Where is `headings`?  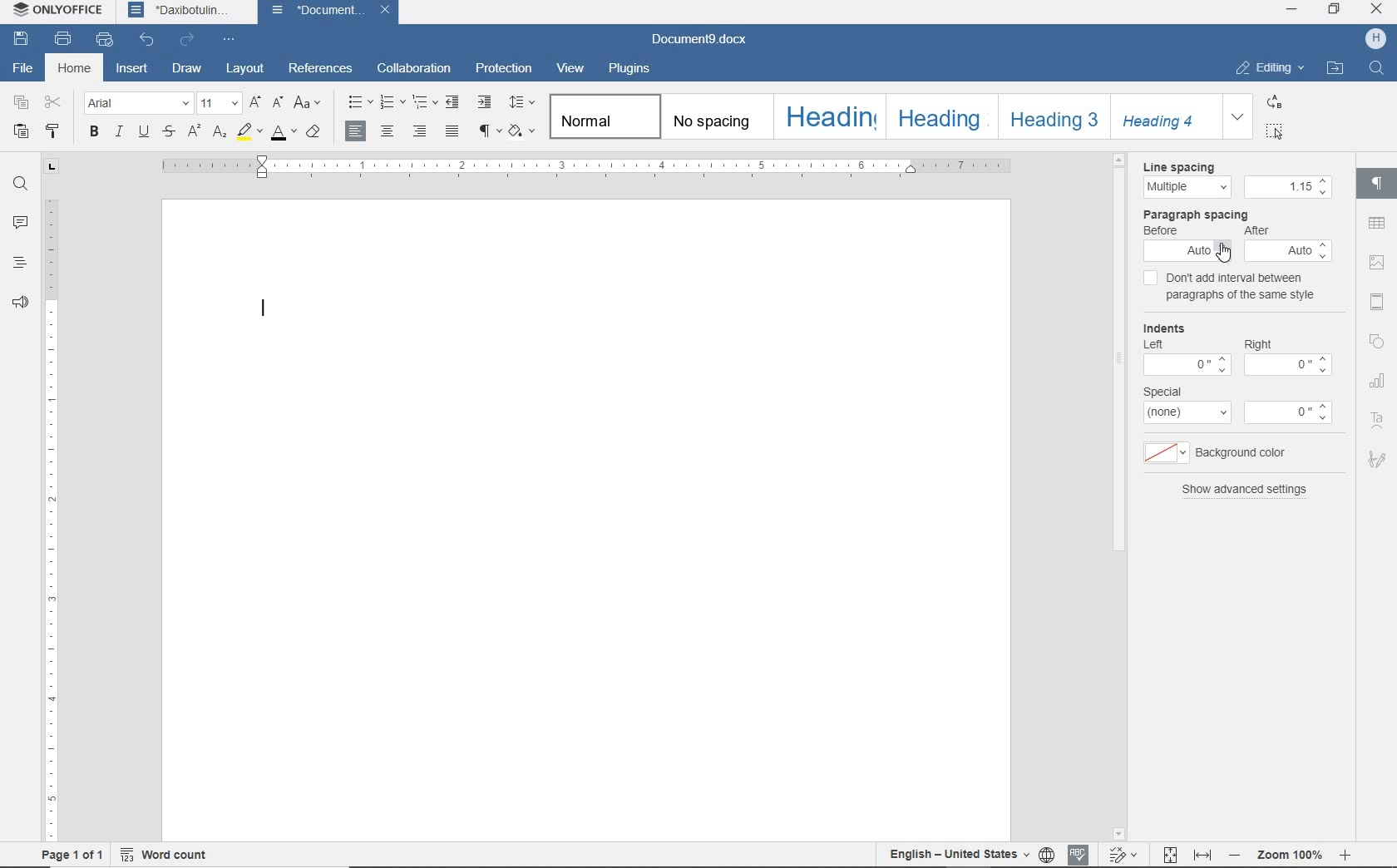 headings is located at coordinates (17, 264).